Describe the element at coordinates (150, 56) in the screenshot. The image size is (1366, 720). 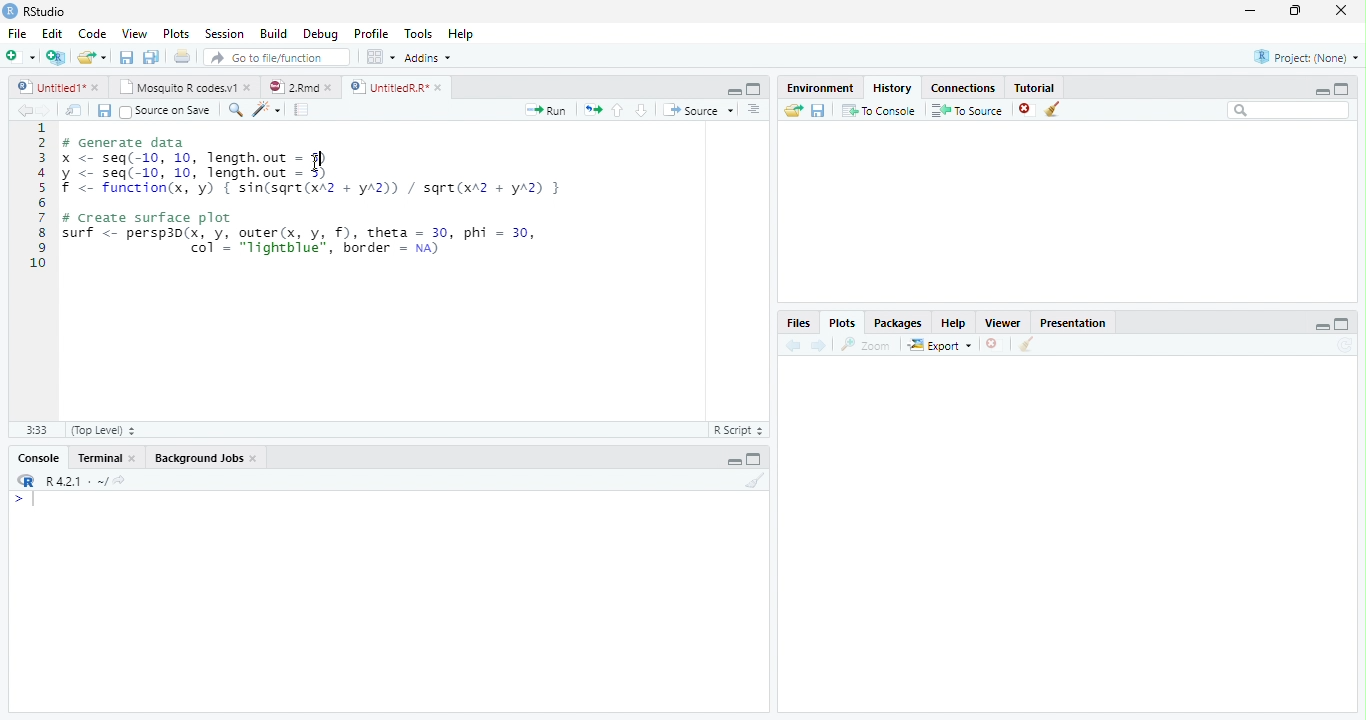
I see `Save all open documents` at that location.